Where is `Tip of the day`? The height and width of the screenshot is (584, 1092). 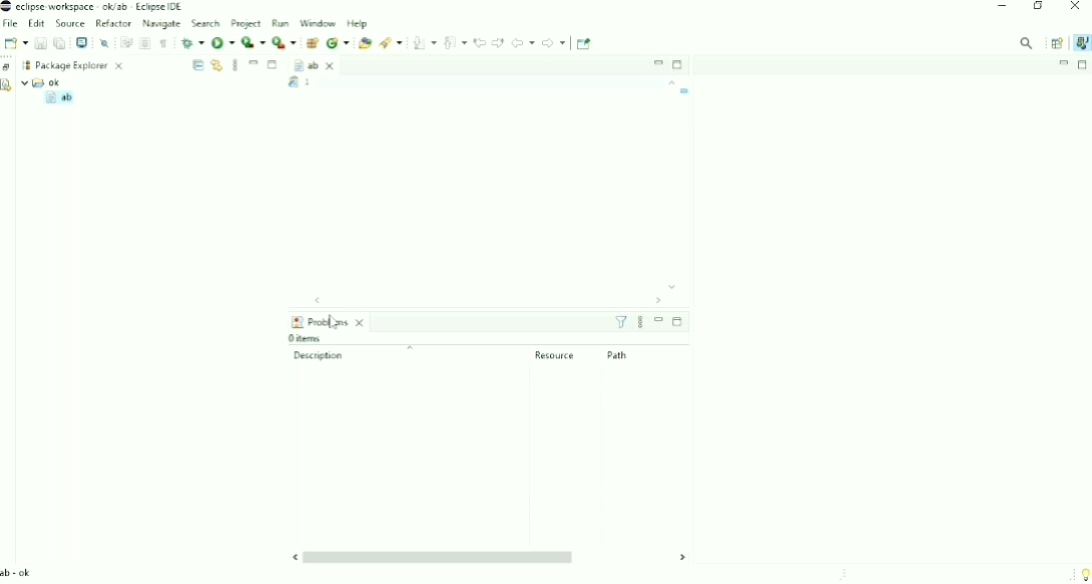
Tip of the day is located at coordinates (1081, 572).